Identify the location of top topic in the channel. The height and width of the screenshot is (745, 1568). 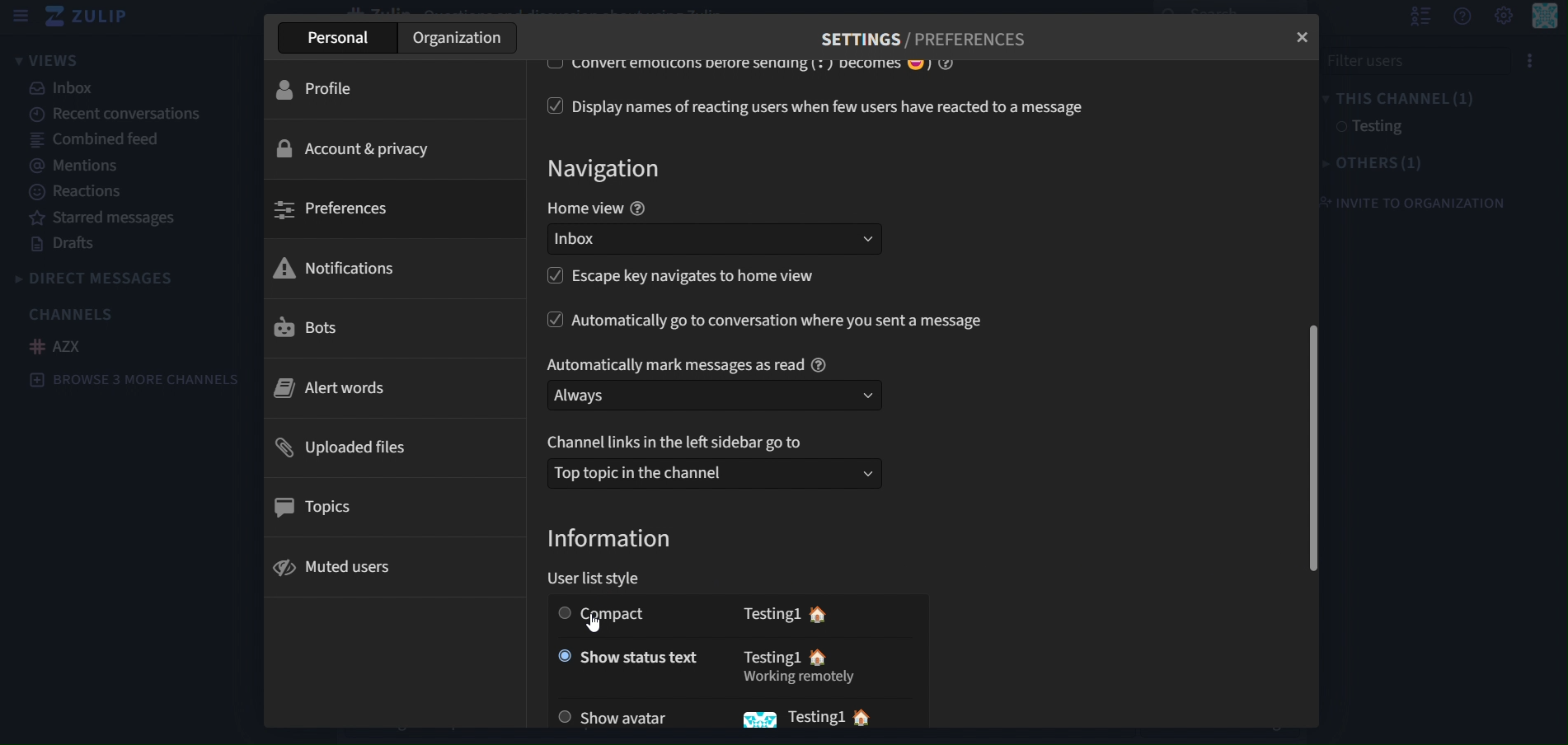
(712, 471).